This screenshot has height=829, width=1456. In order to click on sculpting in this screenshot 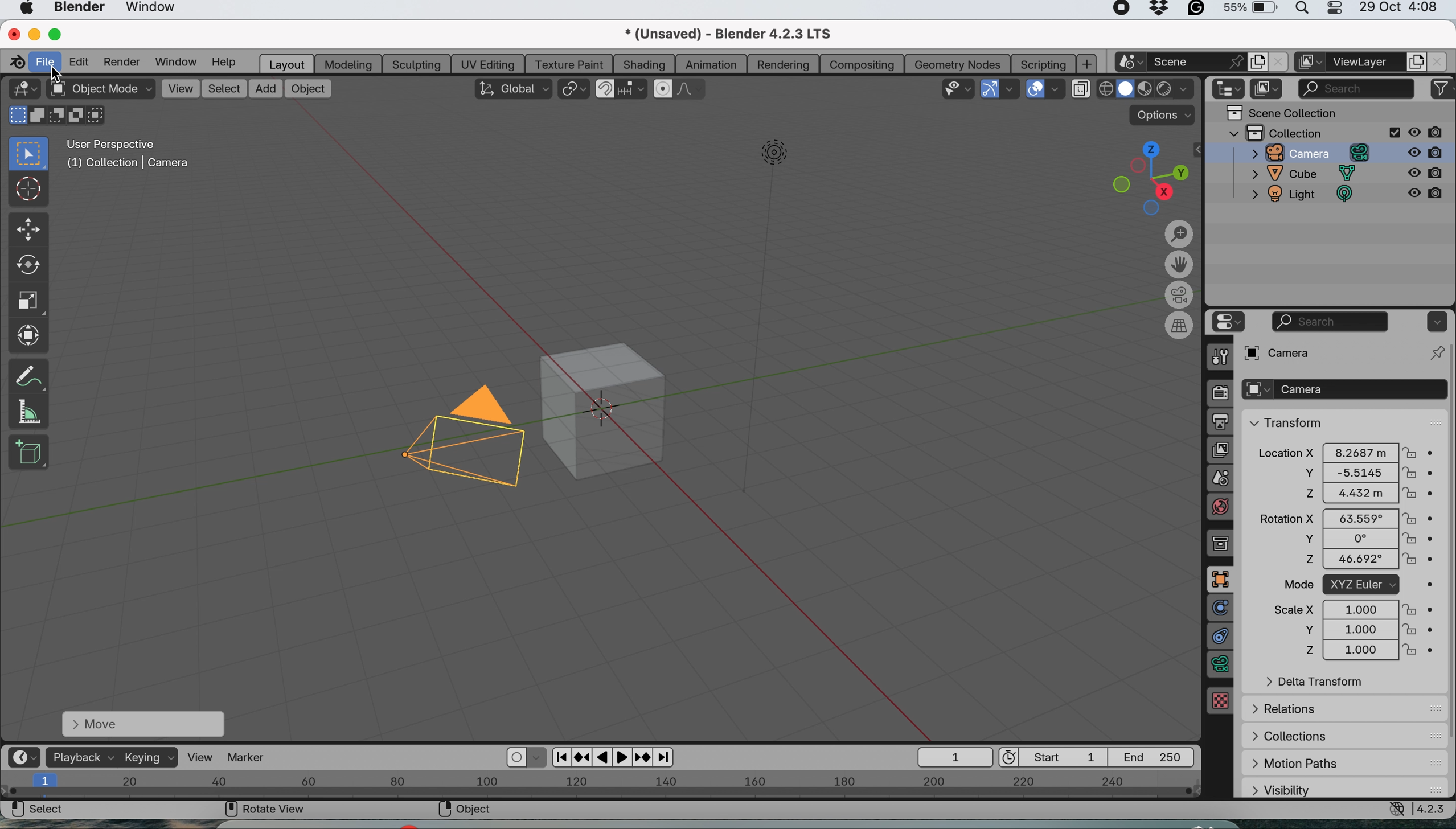, I will do `click(416, 64)`.